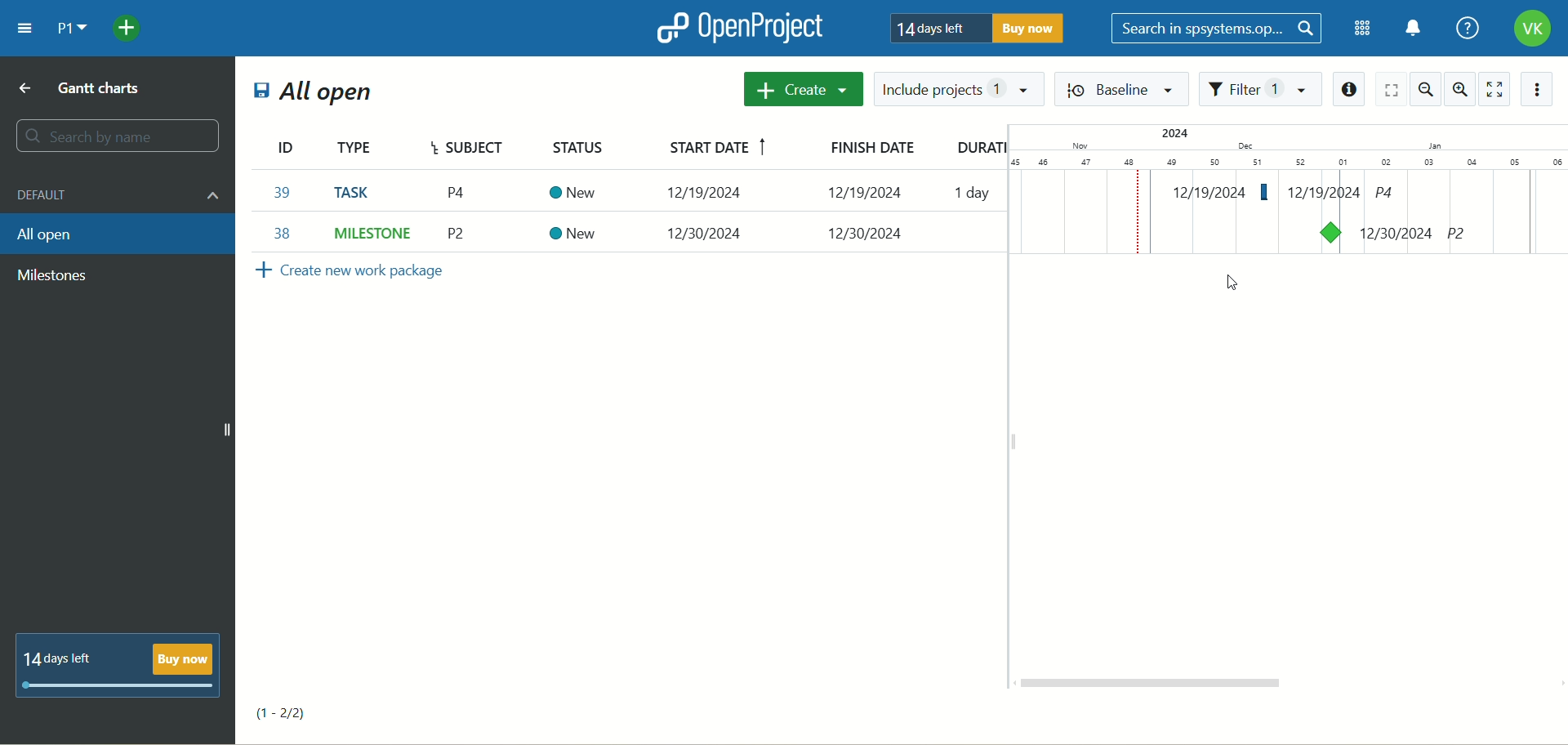 The image size is (1568, 745). What do you see at coordinates (977, 150) in the screenshot?
I see `duration` at bounding box center [977, 150].